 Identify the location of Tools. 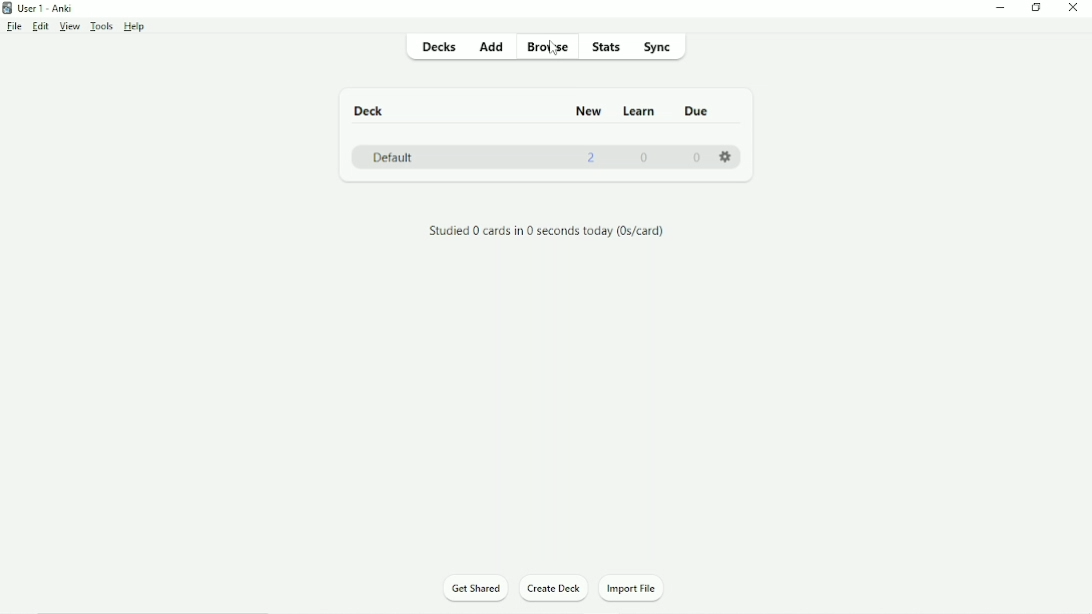
(103, 27).